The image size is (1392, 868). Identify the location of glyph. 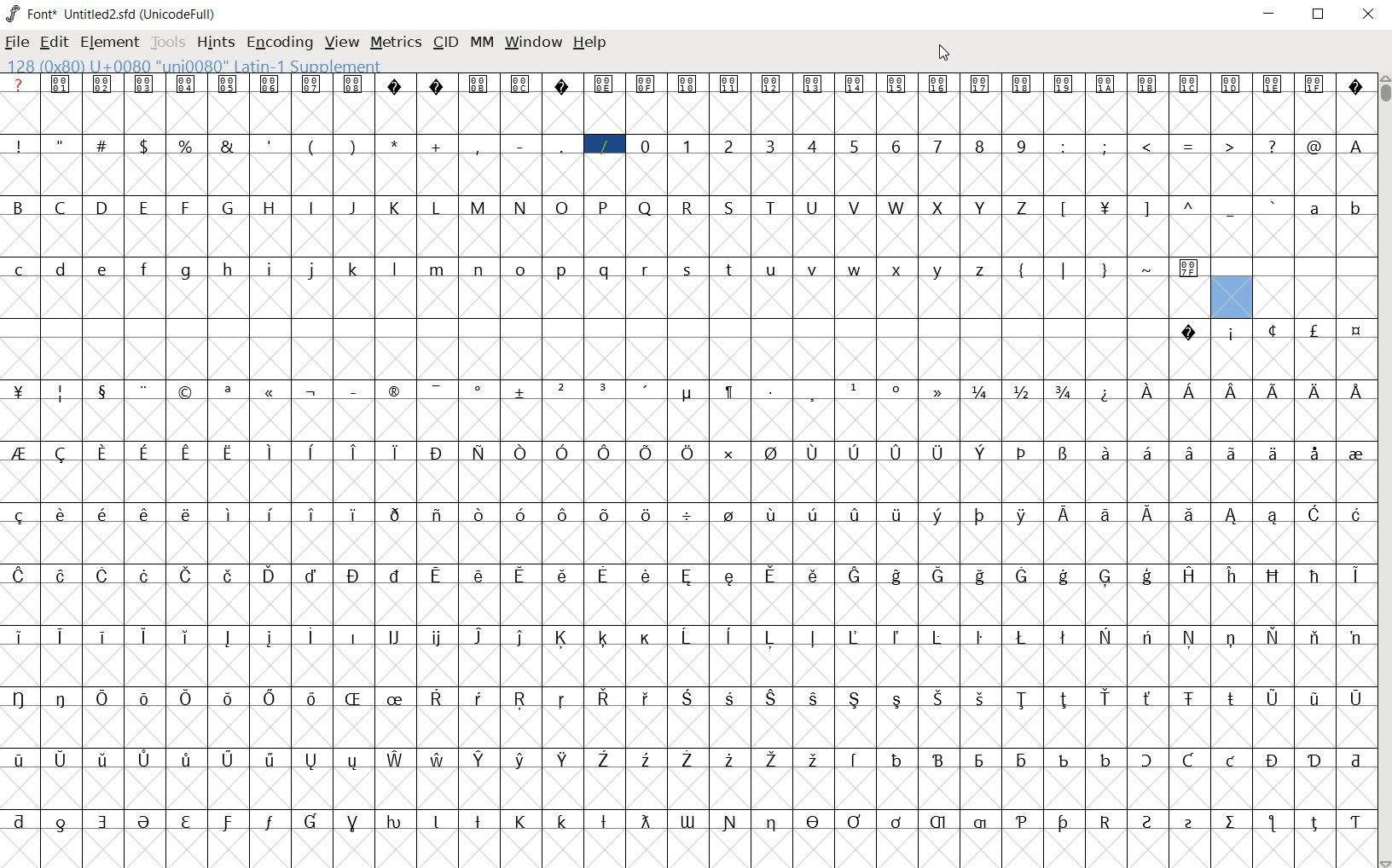
(1356, 576).